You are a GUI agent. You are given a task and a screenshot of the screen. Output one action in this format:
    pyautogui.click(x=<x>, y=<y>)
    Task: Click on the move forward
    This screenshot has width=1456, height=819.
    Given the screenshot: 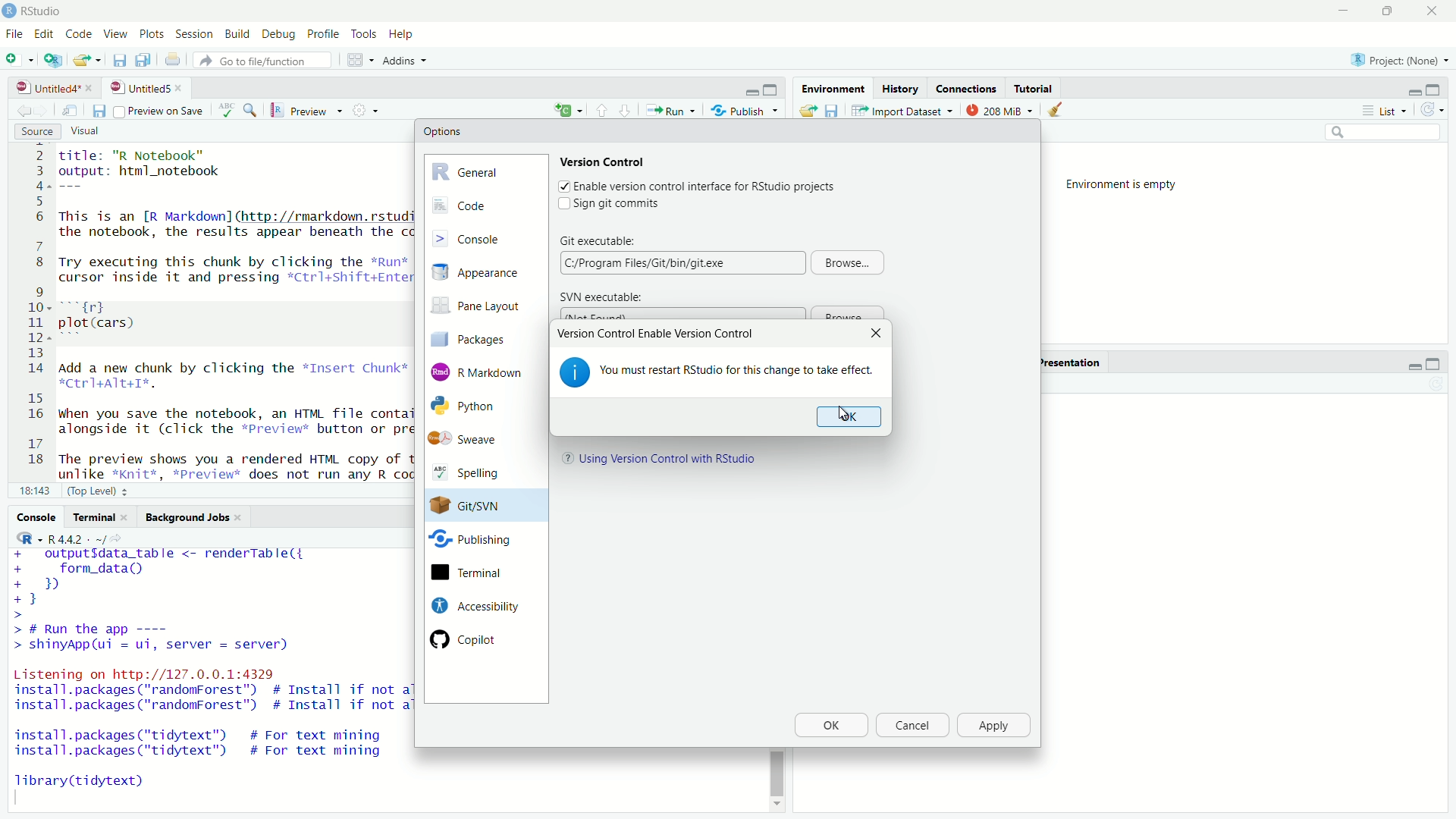 What is the action you would take?
    pyautogui.click(x=21, y=111)
    